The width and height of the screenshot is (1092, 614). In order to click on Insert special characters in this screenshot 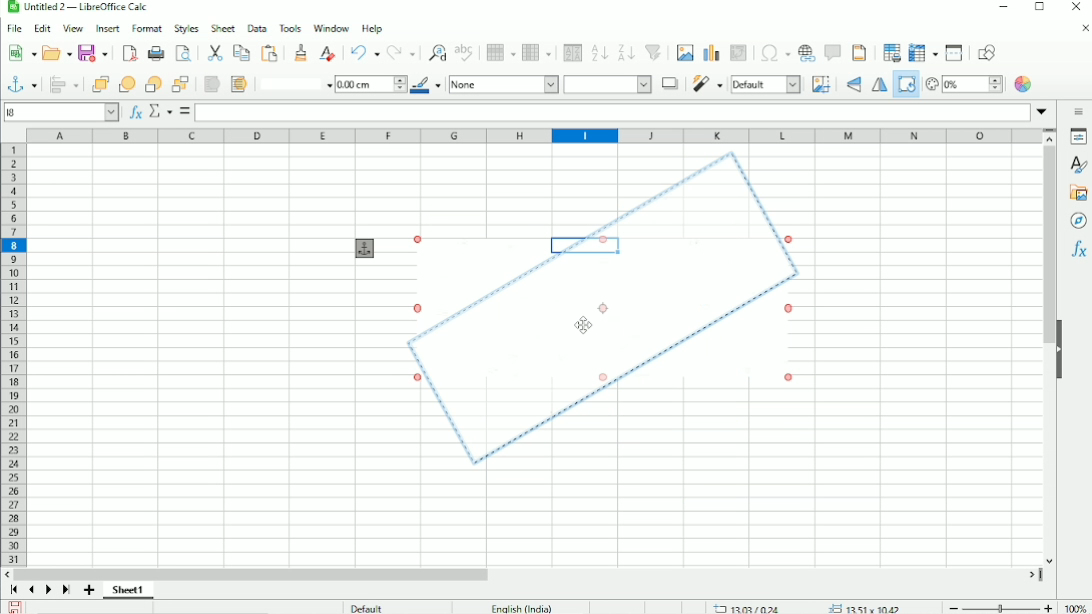, I will do `click(775, 52)`.